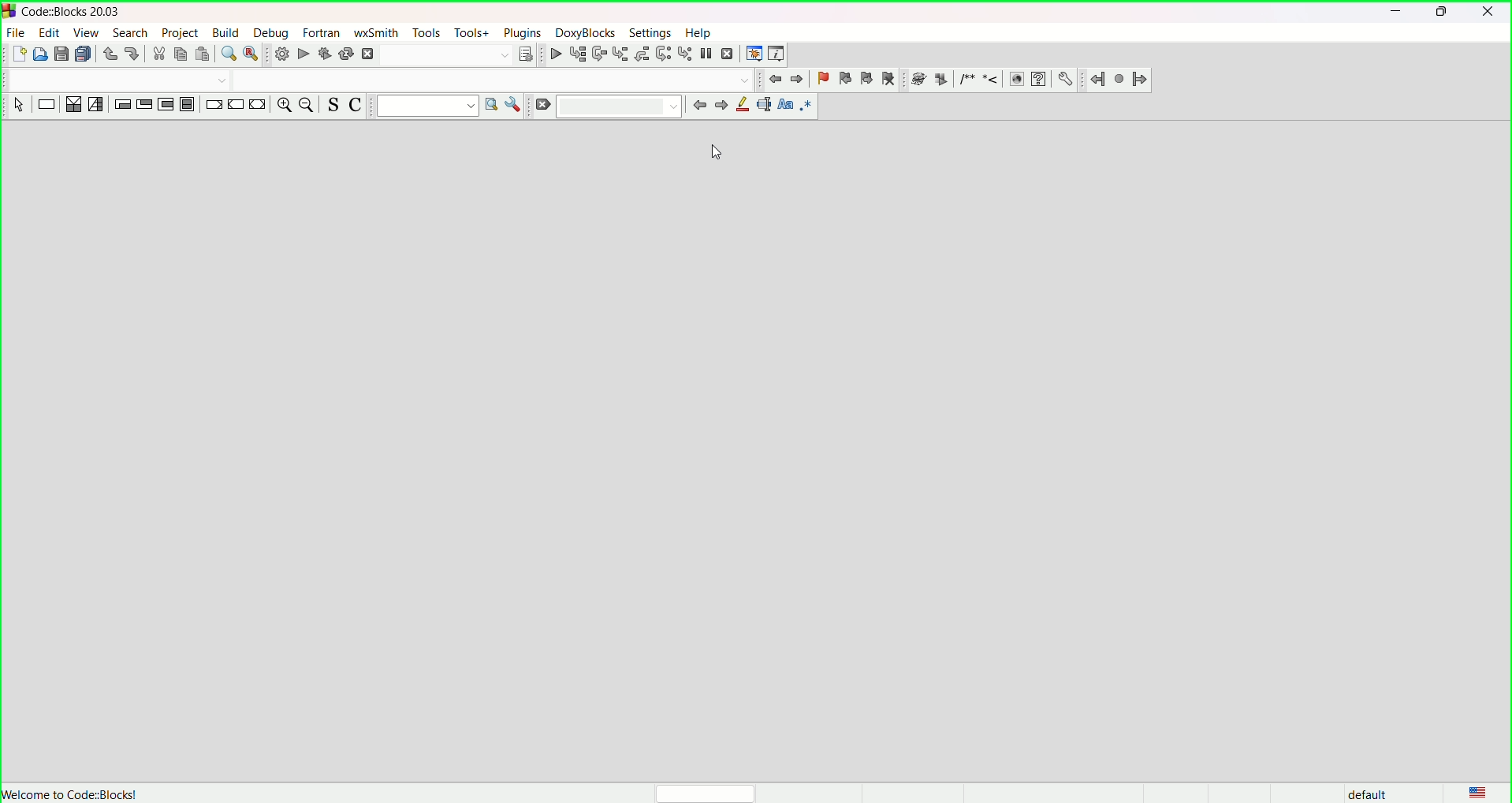 This screenshot has height=803, width=1512. Describe the element at coordinates (796, 79) in the screenshot. I see `jump forward` at that location.